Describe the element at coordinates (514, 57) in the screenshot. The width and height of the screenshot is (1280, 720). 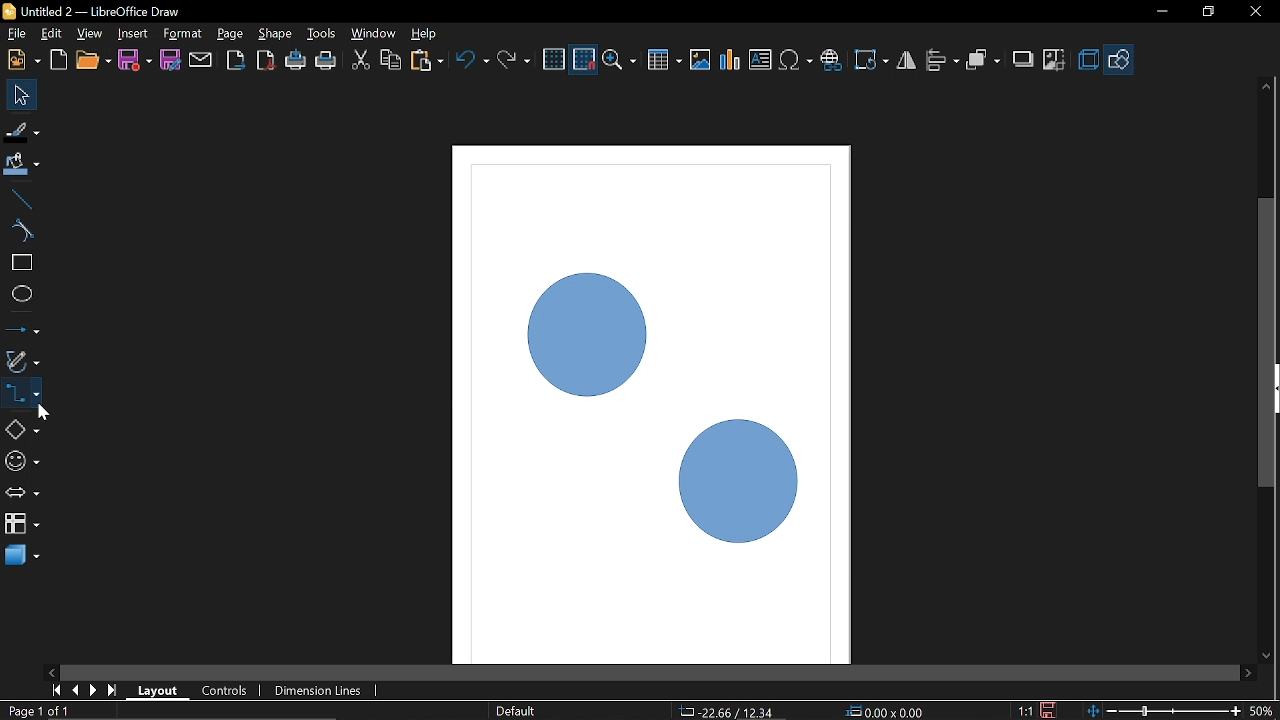
I see `Redo` at that location.